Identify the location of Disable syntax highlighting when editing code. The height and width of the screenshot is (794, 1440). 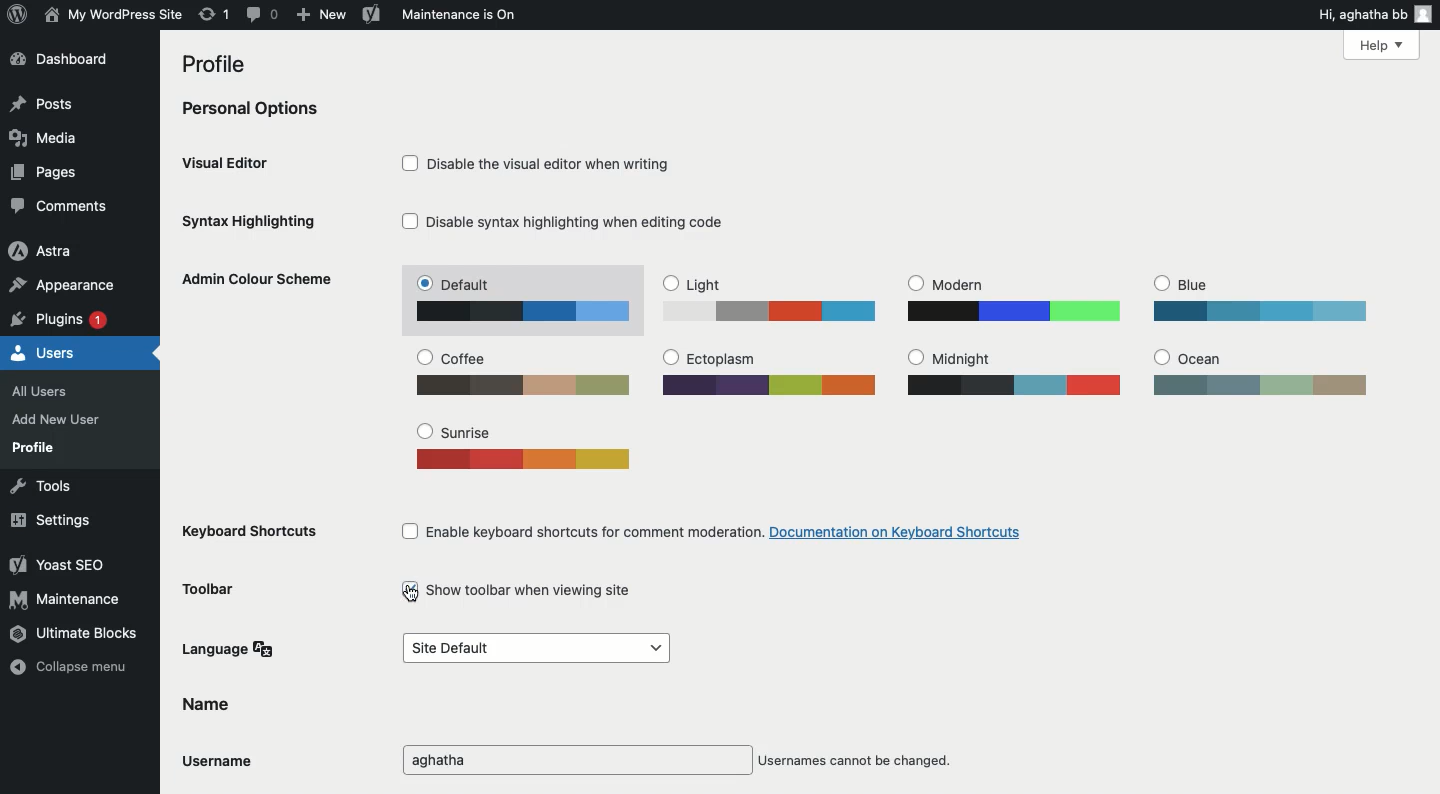
(569, 225).